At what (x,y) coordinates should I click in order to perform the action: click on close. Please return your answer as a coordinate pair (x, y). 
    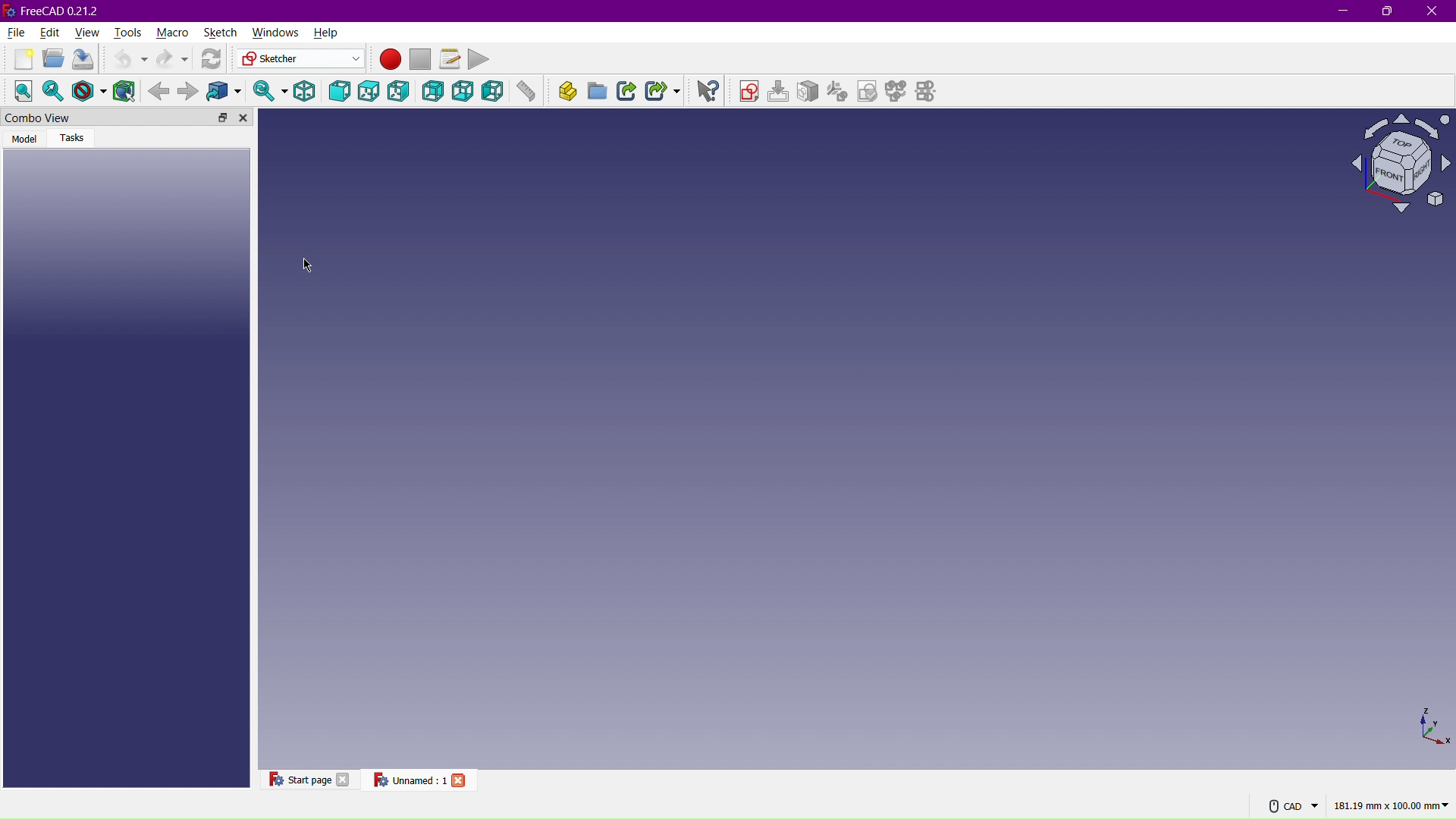
    Looking at the image, I should click on (460, 780).